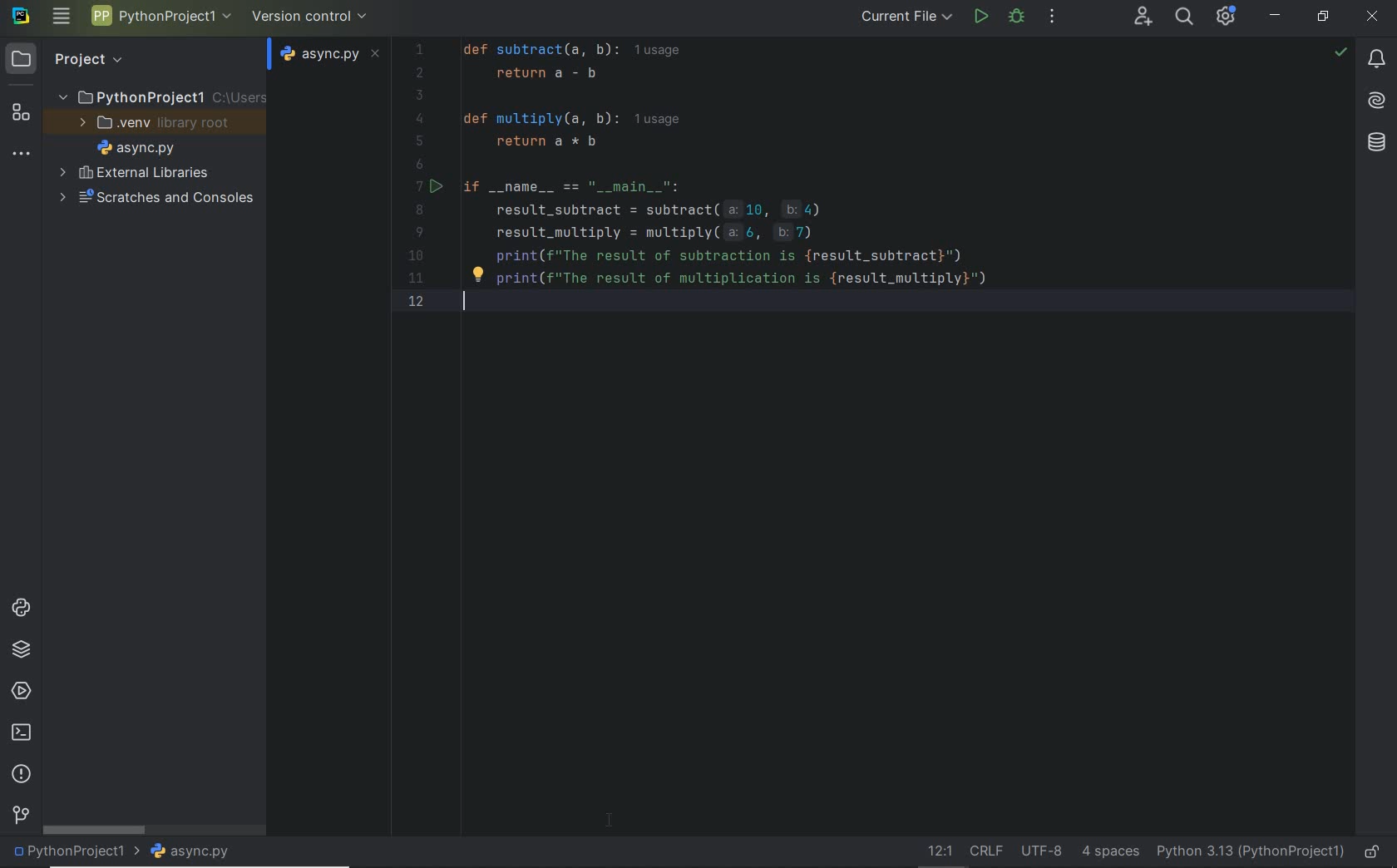  I want to click on search everywhere, so click(1186, 18).